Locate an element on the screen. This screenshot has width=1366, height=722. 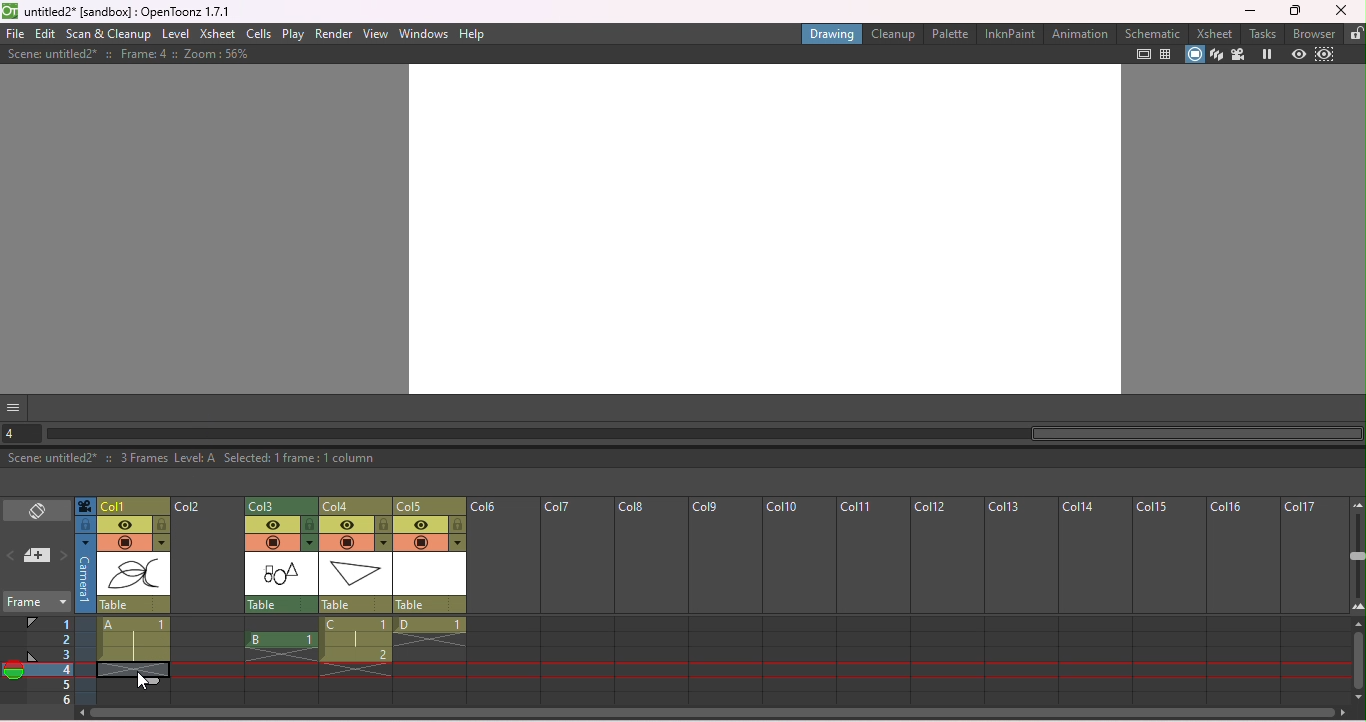
Safe area is located at coordinates (1144, 54).